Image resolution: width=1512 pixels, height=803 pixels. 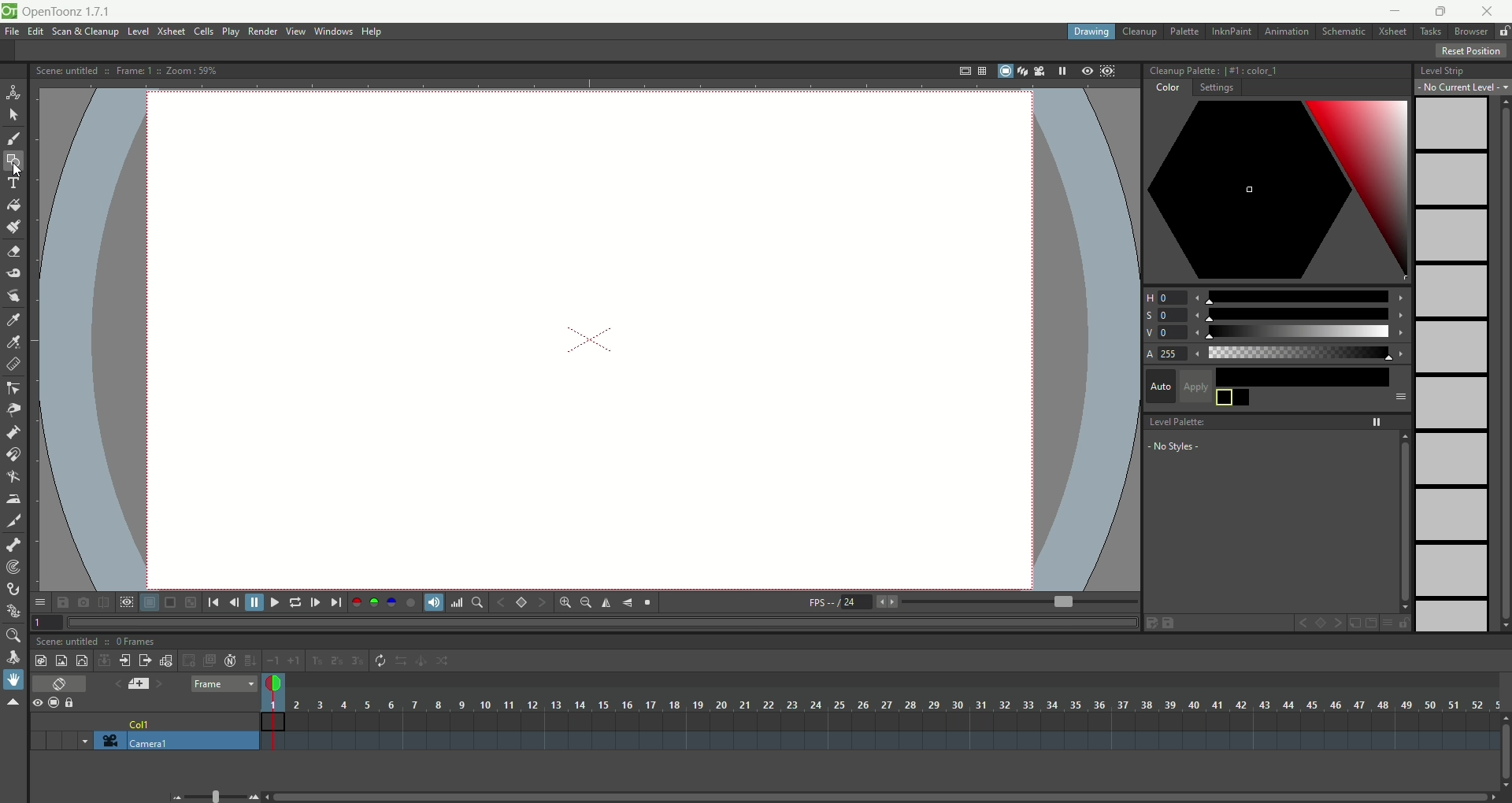 I want to click on X sheet, so click(x=172, y=31).